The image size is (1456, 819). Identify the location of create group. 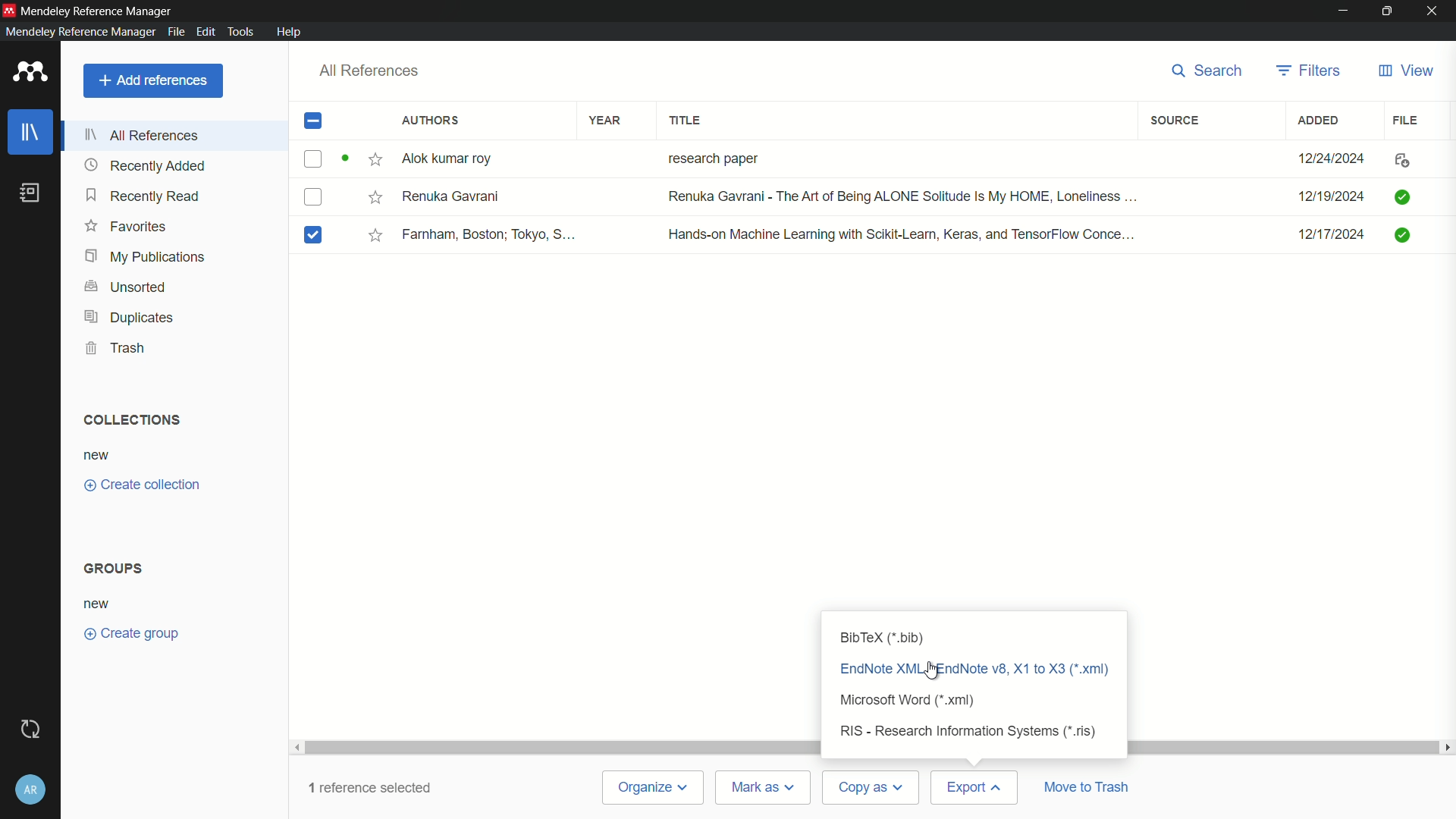
(129, 632).